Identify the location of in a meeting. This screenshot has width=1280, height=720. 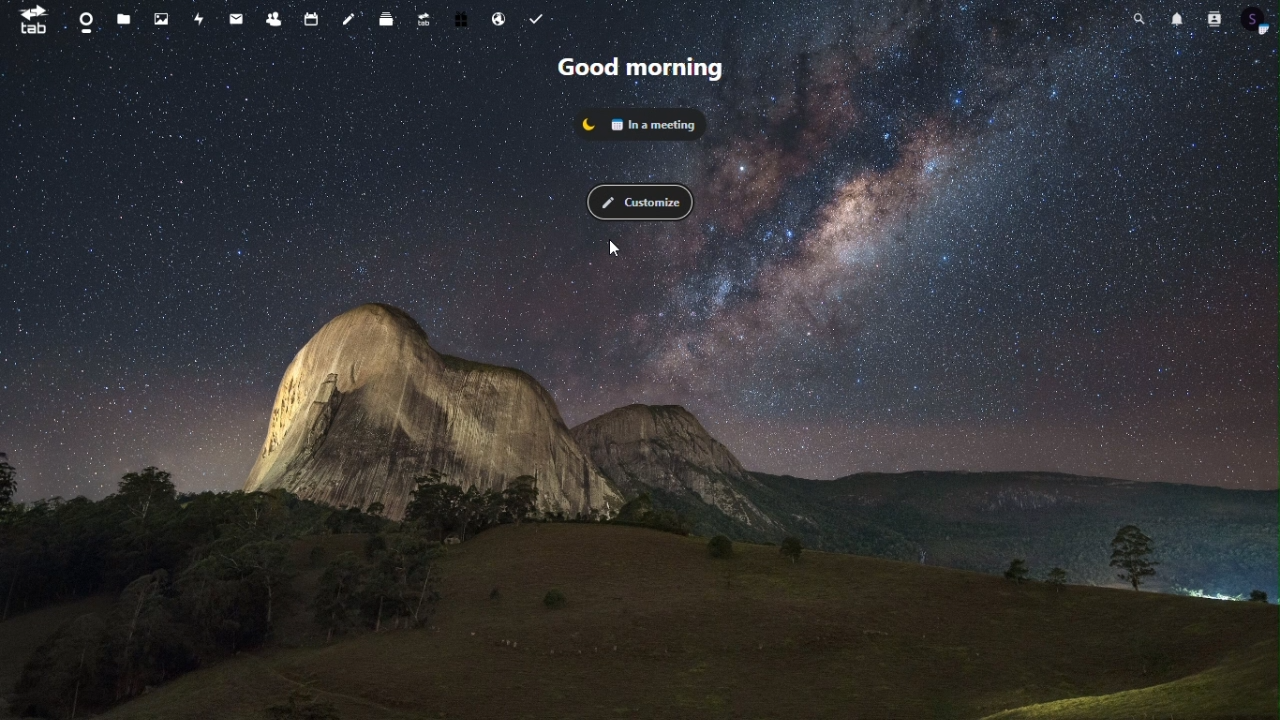
(643, 122).